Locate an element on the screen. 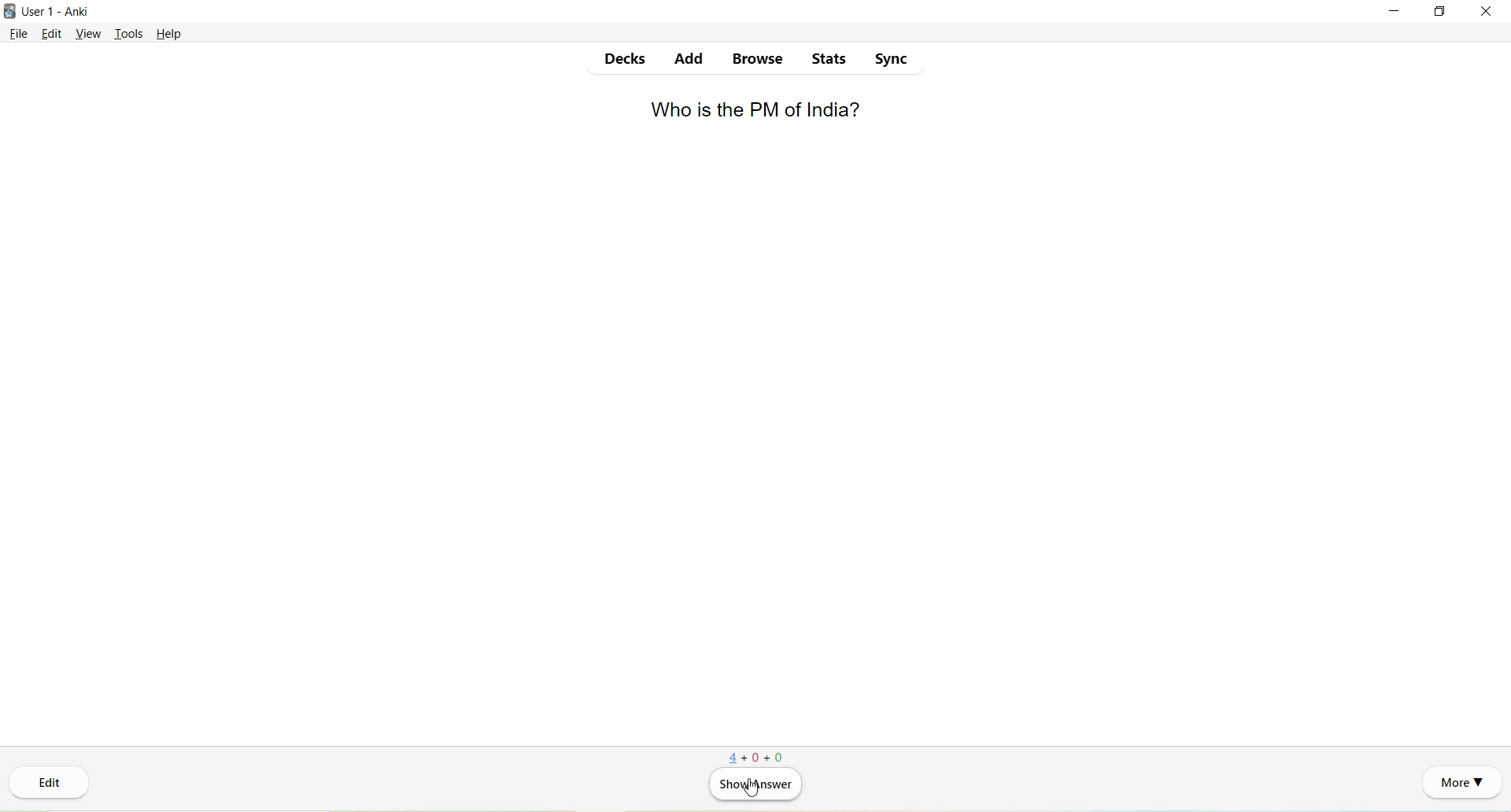 The height and width of the screenshot is (812, 1511). cursor is located at coordinates (755, 788).